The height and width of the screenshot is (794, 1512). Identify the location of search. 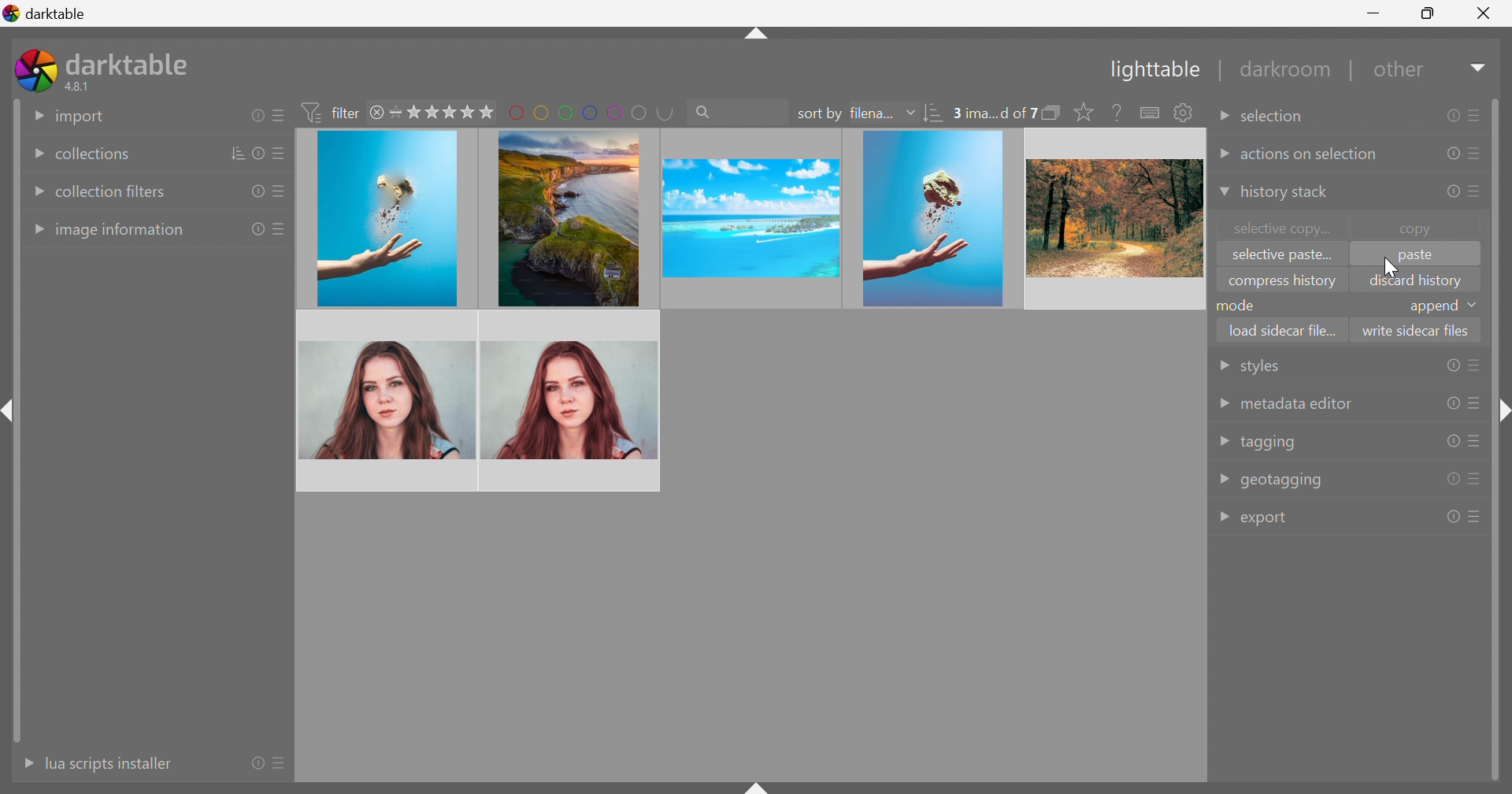
(736, 110).